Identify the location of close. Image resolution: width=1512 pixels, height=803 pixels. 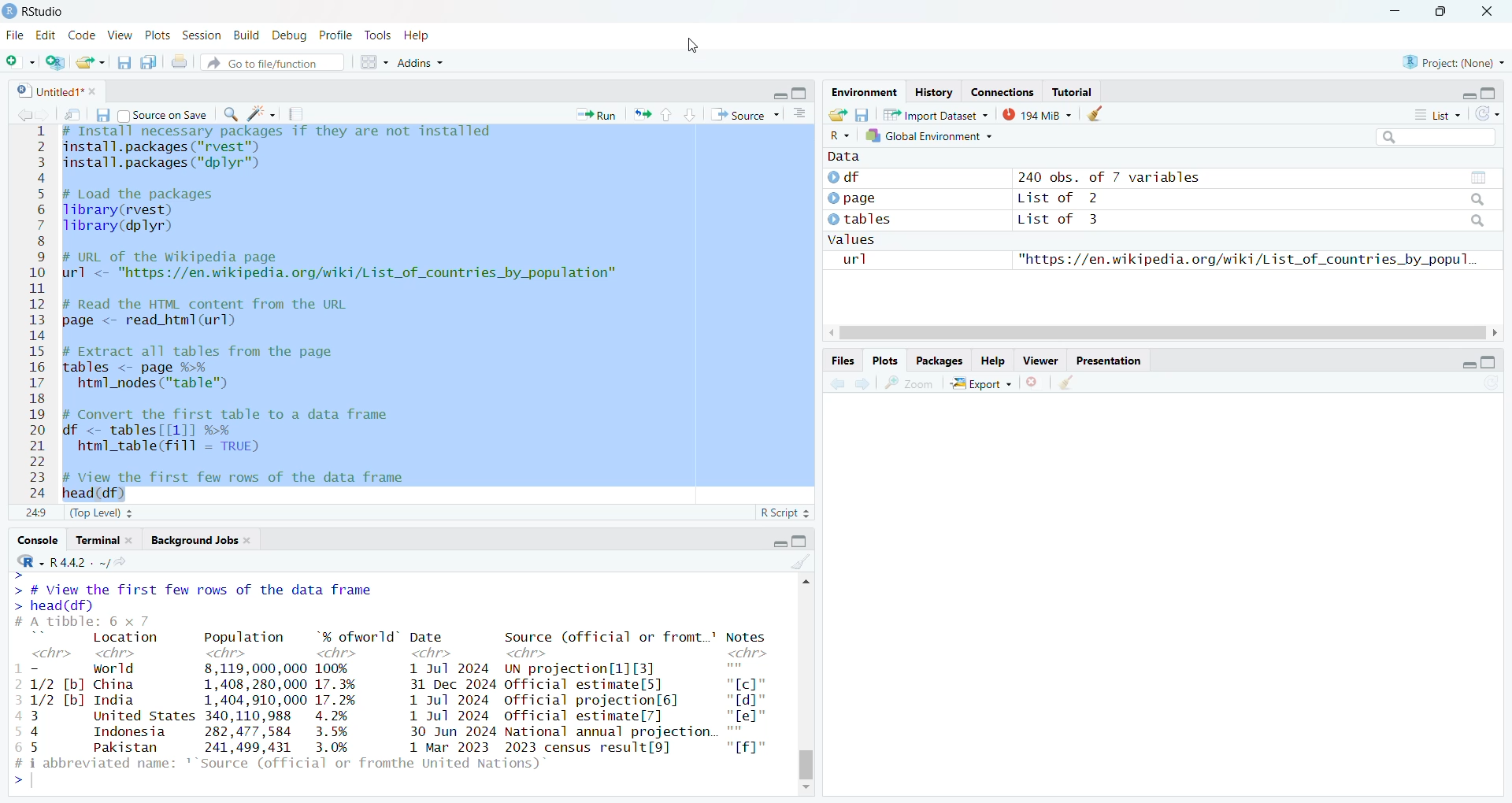
(1486, 12).